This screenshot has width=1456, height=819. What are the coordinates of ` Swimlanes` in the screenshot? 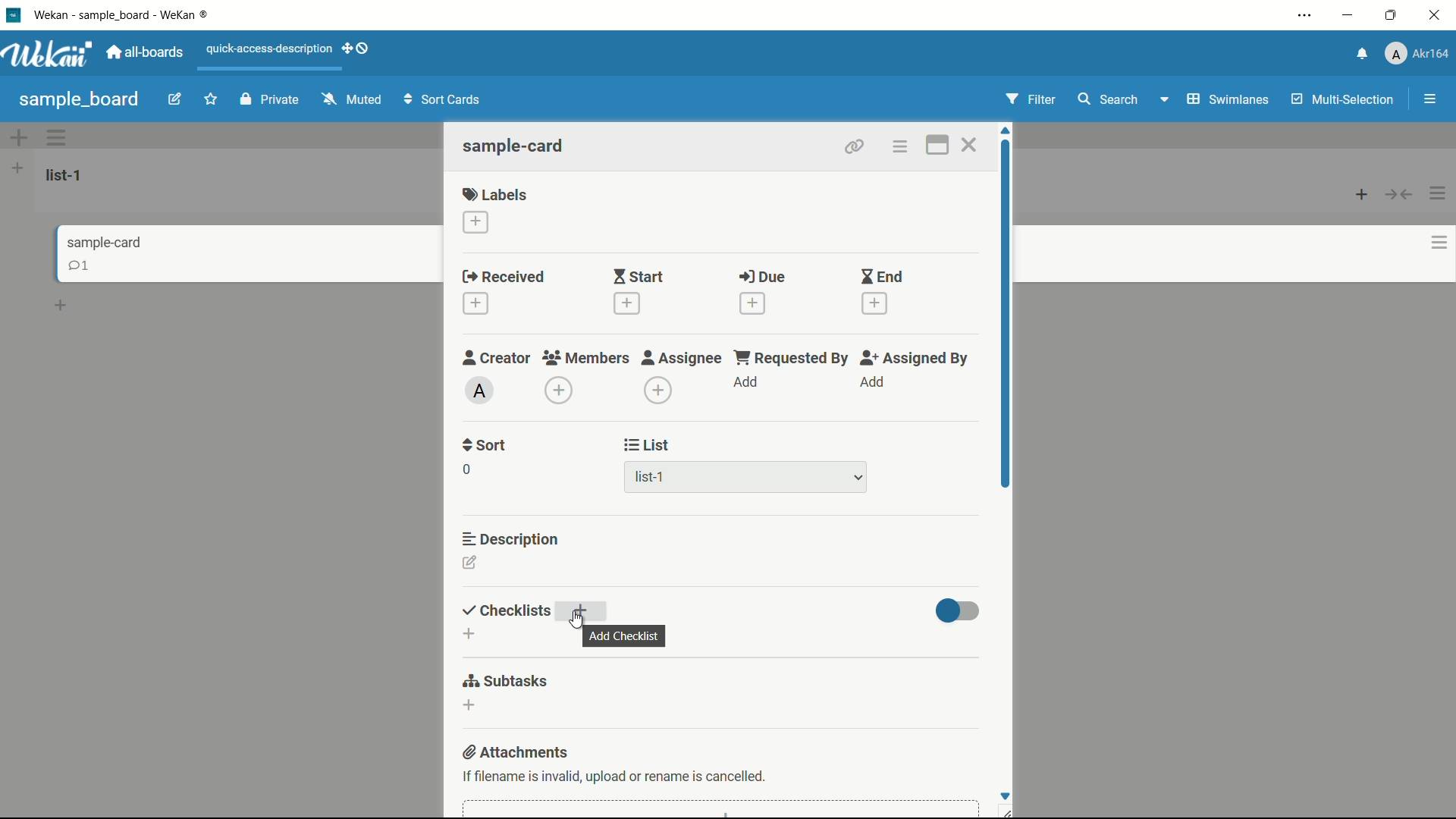 It's located at (1212, 99).